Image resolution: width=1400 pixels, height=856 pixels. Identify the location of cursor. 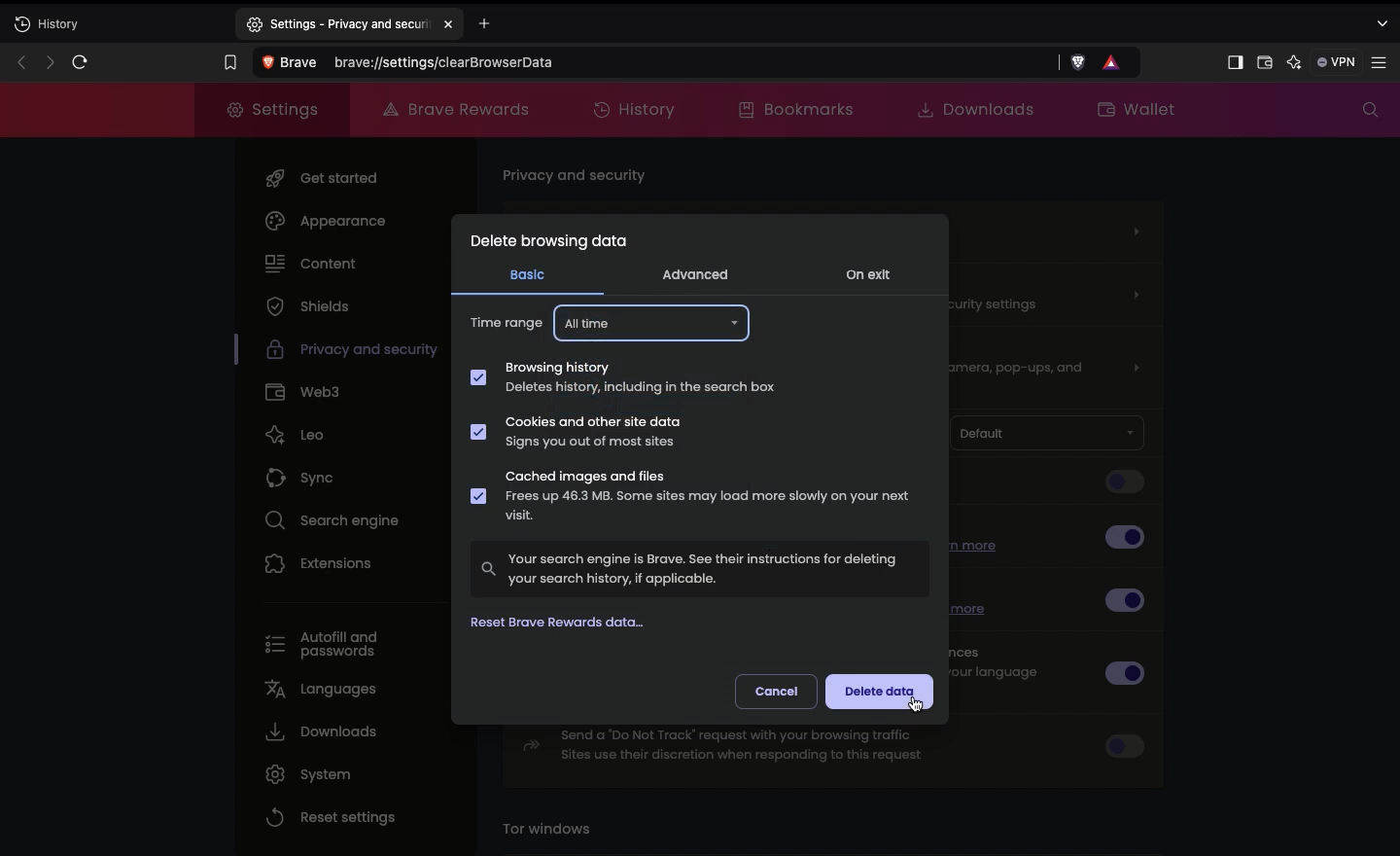
(910, 707).